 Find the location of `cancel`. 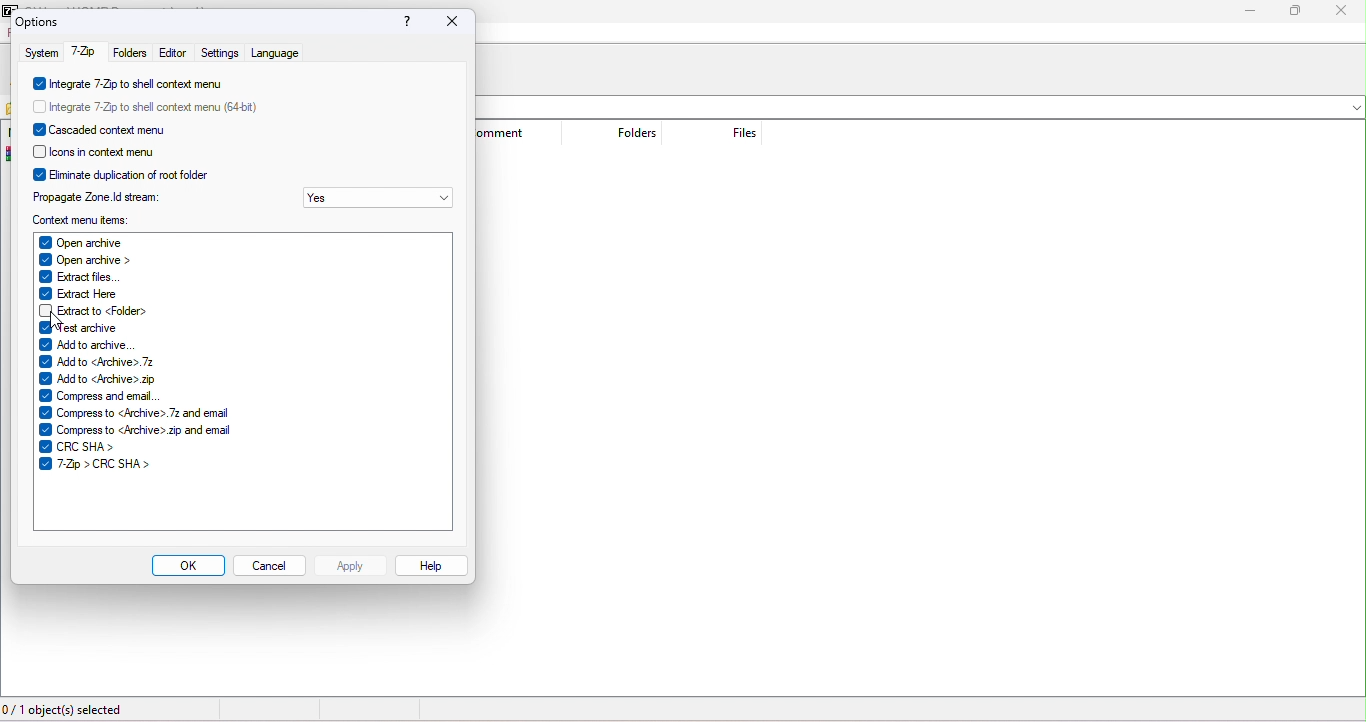

cancel is located at coordinates (269, 567).